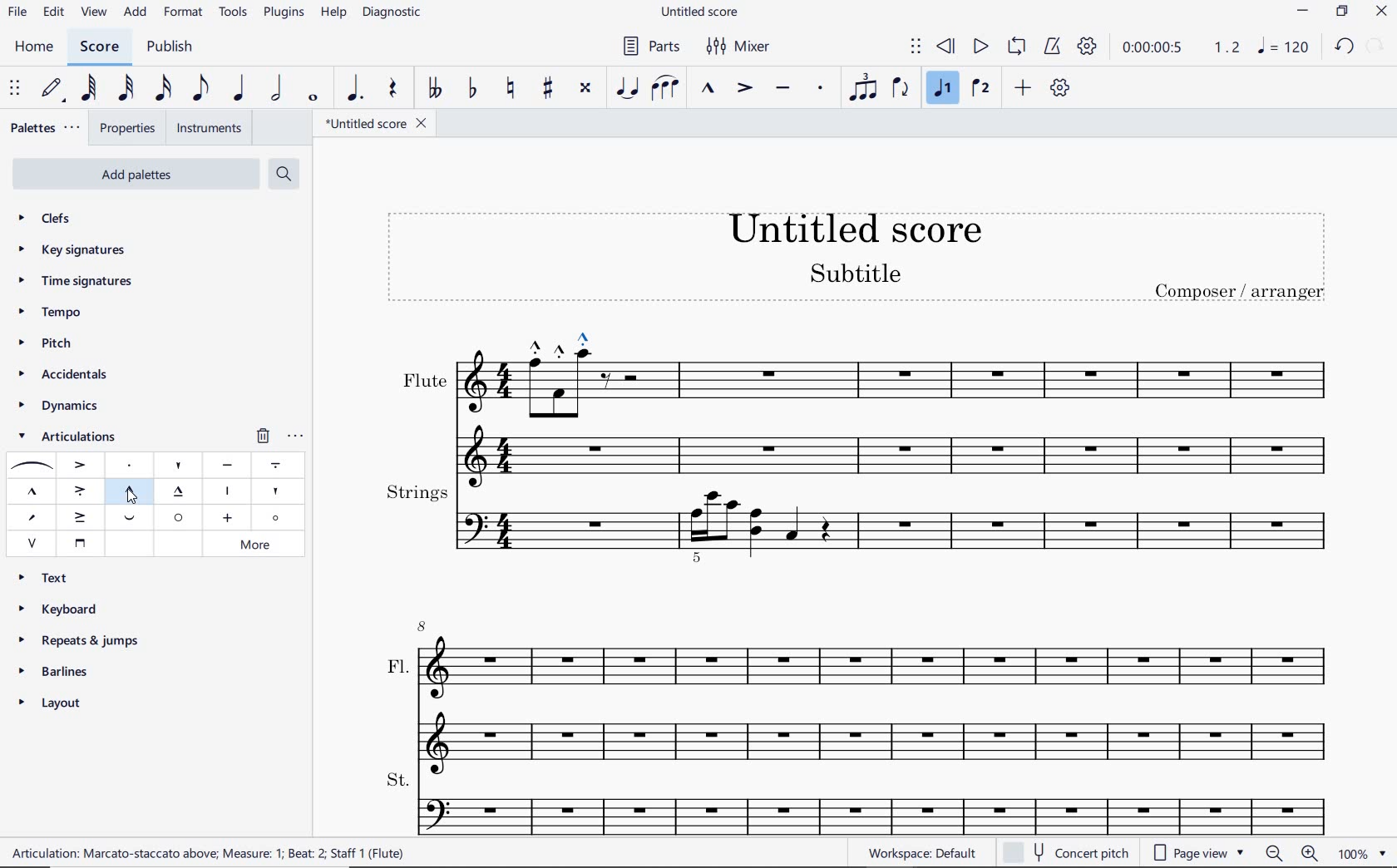  I want to click on ADD, so click(1024, 88).